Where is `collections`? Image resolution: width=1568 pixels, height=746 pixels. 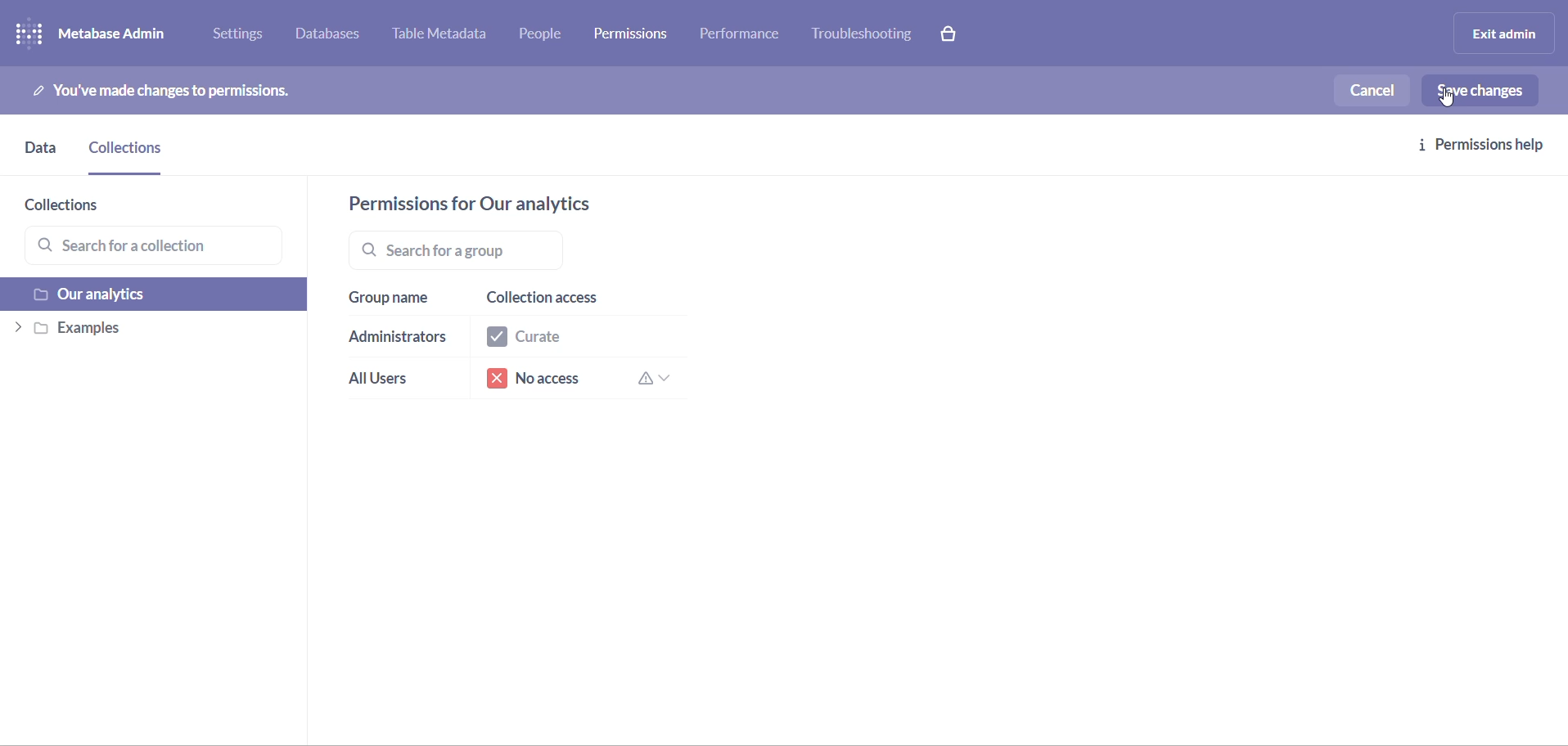 collections is located at coordinates (79, 204).